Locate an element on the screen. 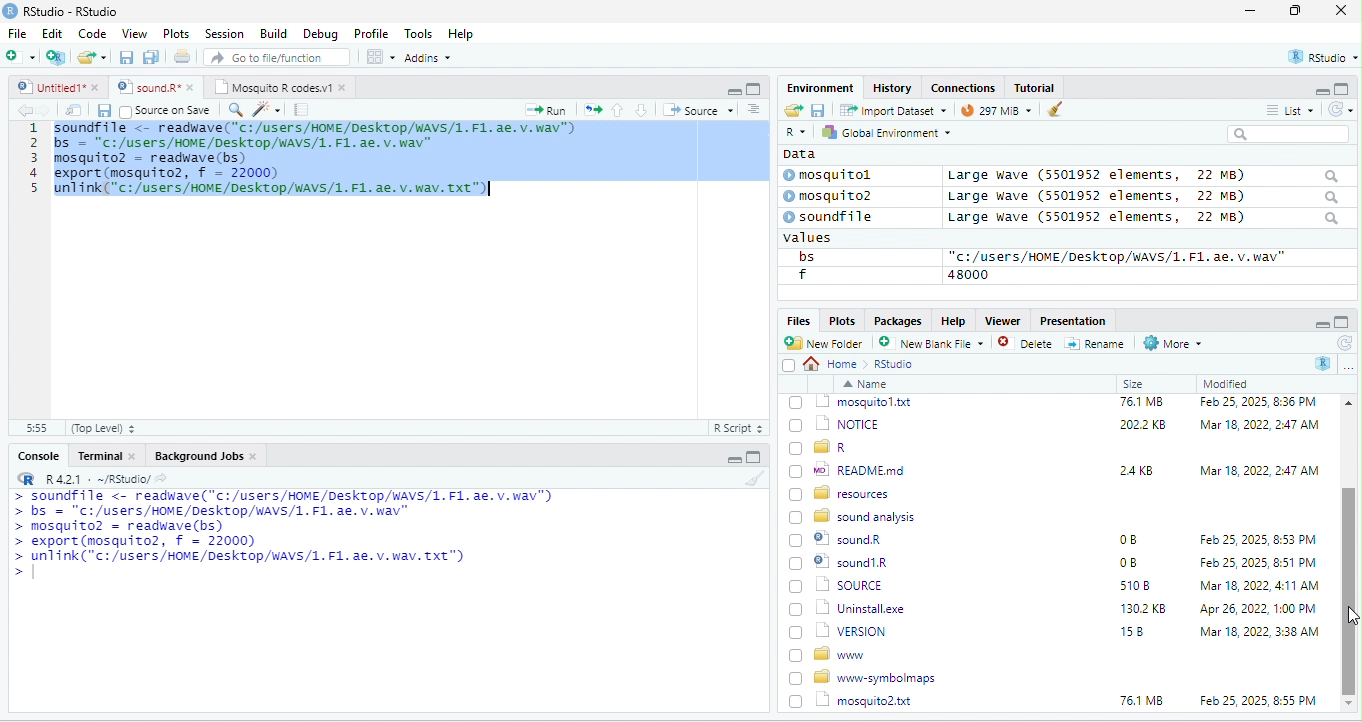 This screenshot has height=722, width=1362. minimize is located at coordinates (1250, 12).